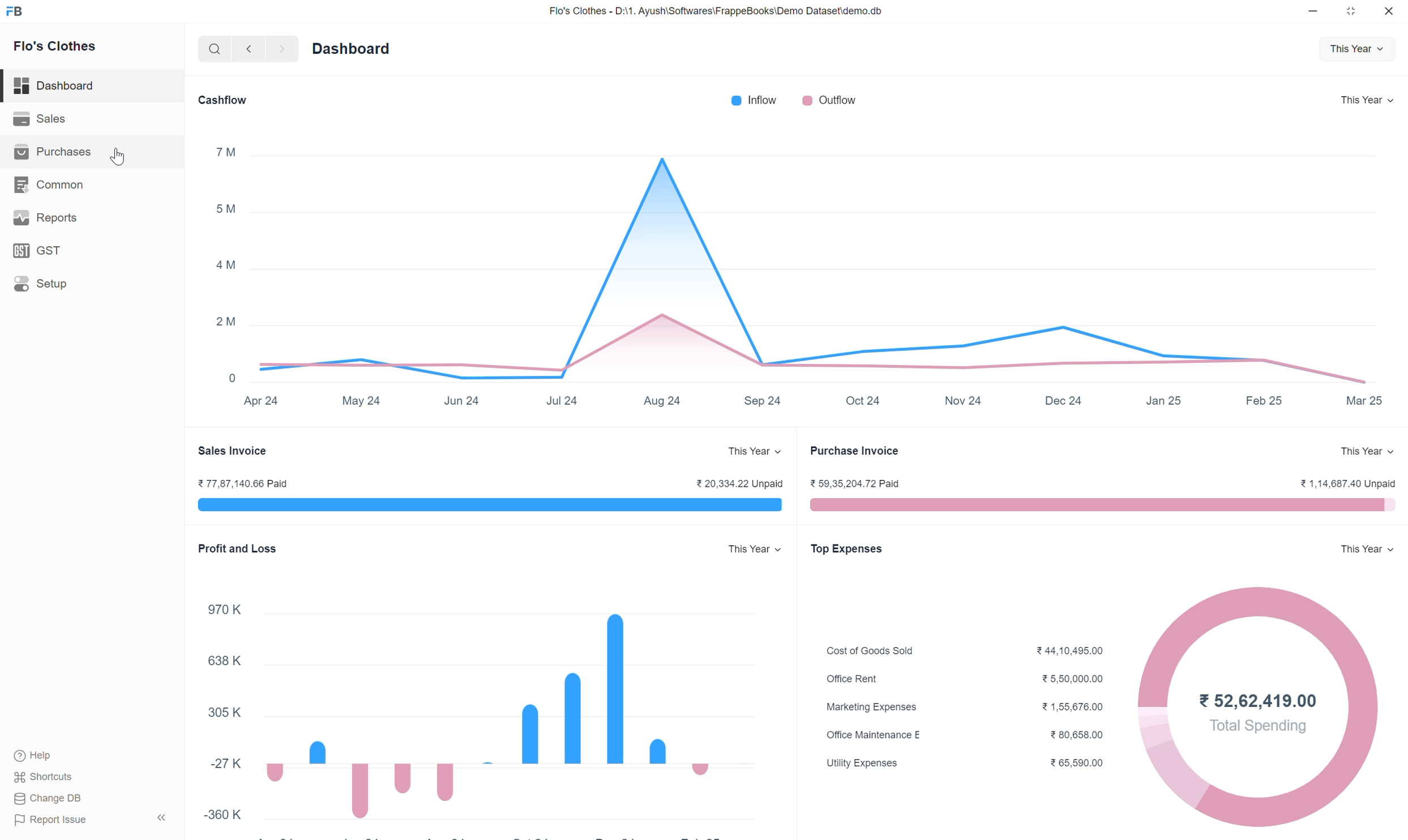  Describe the element at coordinates (52, 820) in the screenshot. I see `Report Issue` at that location.